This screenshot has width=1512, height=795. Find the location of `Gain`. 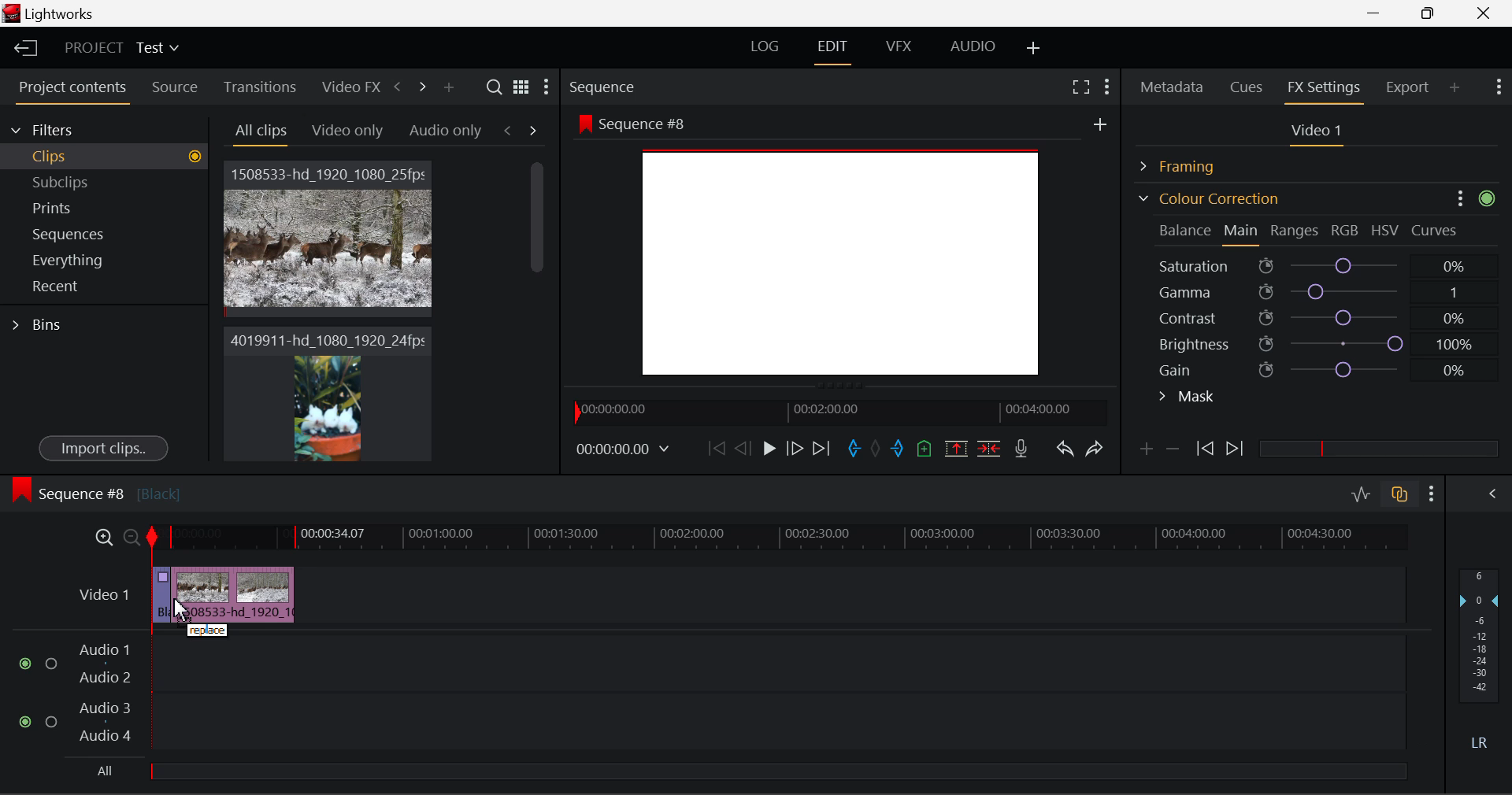

Gain is located at coordinates (1332, 367).